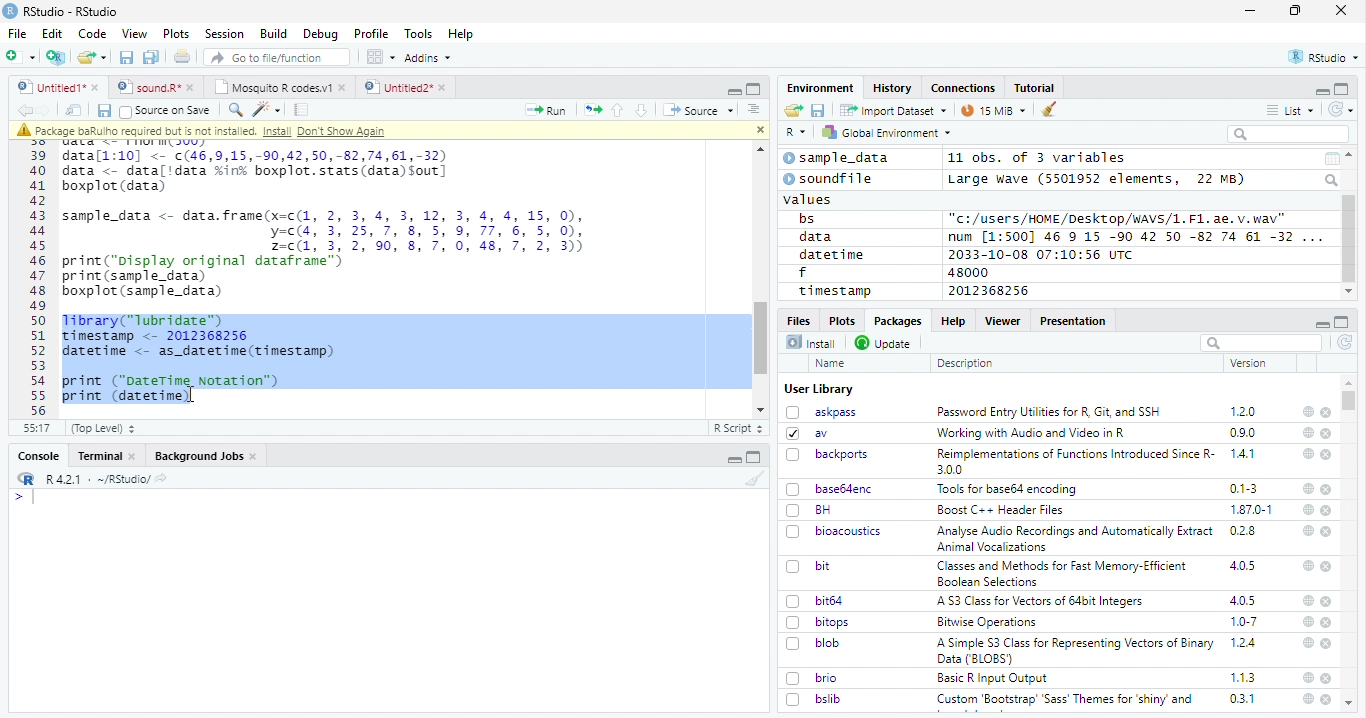 This screenshot has width=1366, height=718. I want to click on R 4.2.1 - ~/RStudio/, so click(95, 479).